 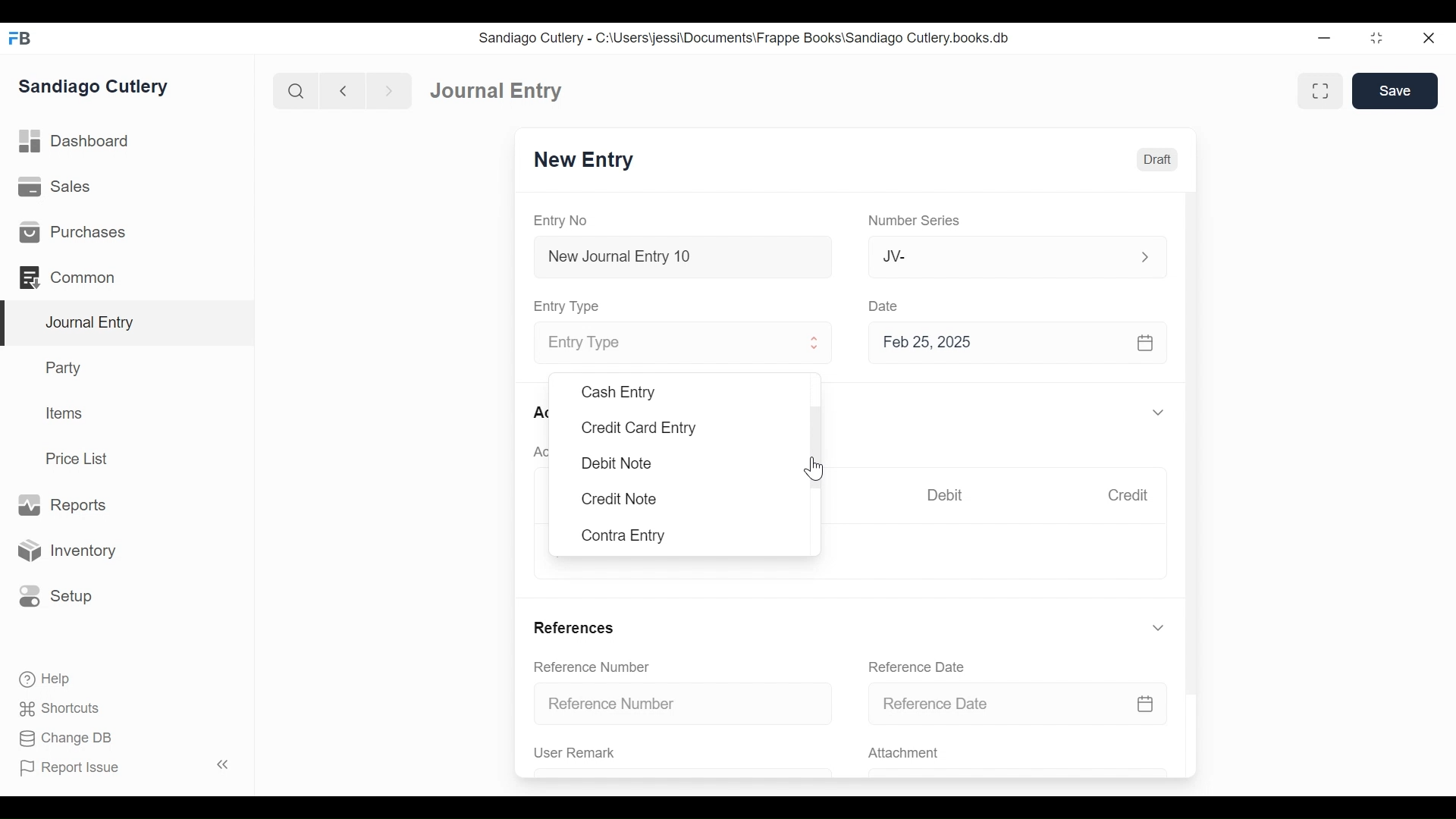 What do you see at coordinates (617, 391) in the screenshot?
I see `Cash Entry` at bounding box center [617, 391].